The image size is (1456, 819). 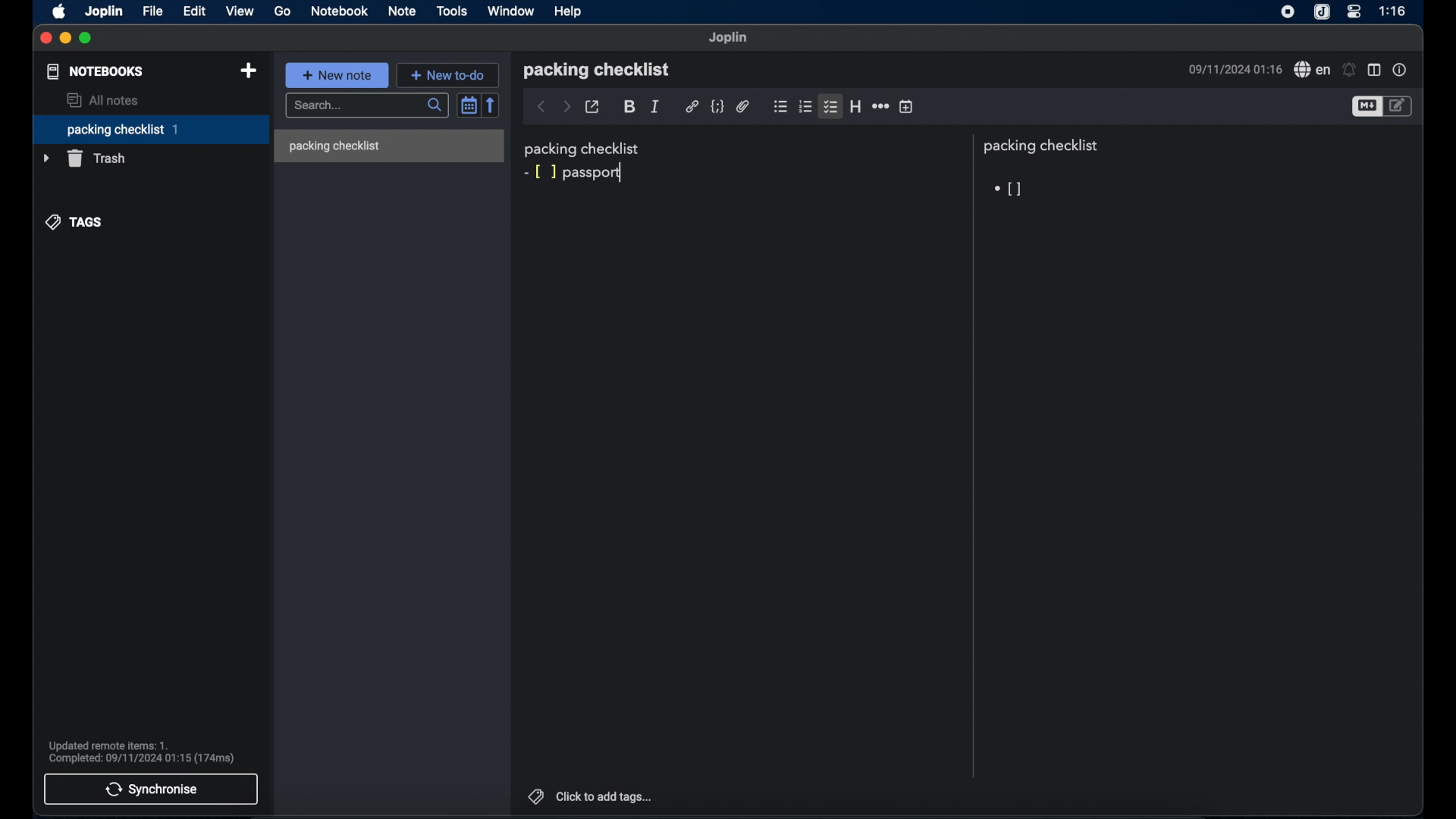 What do you see at coordinates (1399, 107) in the screenshot?
I see `toggle edito` at bounding box center [1399, 107].